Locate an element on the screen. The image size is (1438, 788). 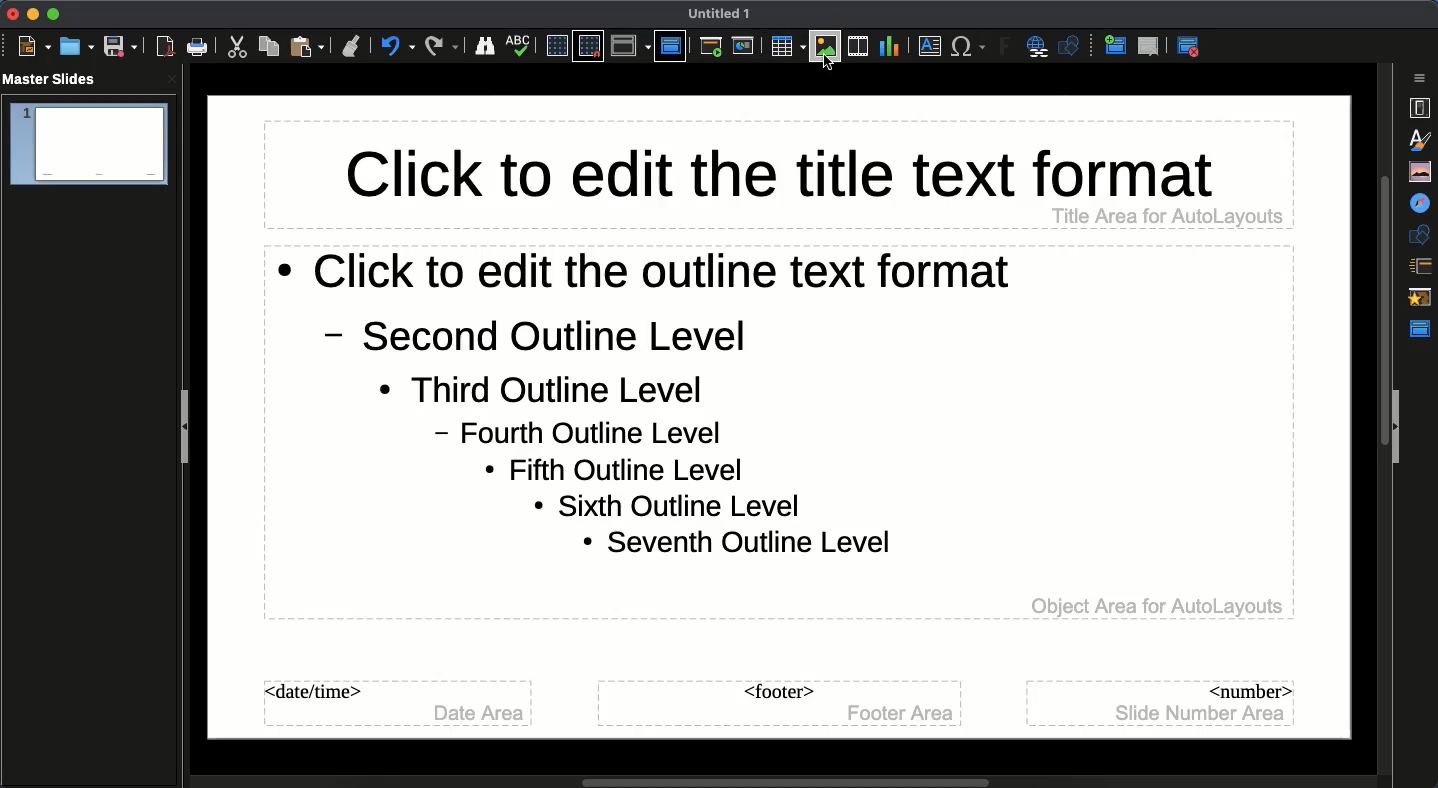
Scroll is located at coordinates (1379, 415).